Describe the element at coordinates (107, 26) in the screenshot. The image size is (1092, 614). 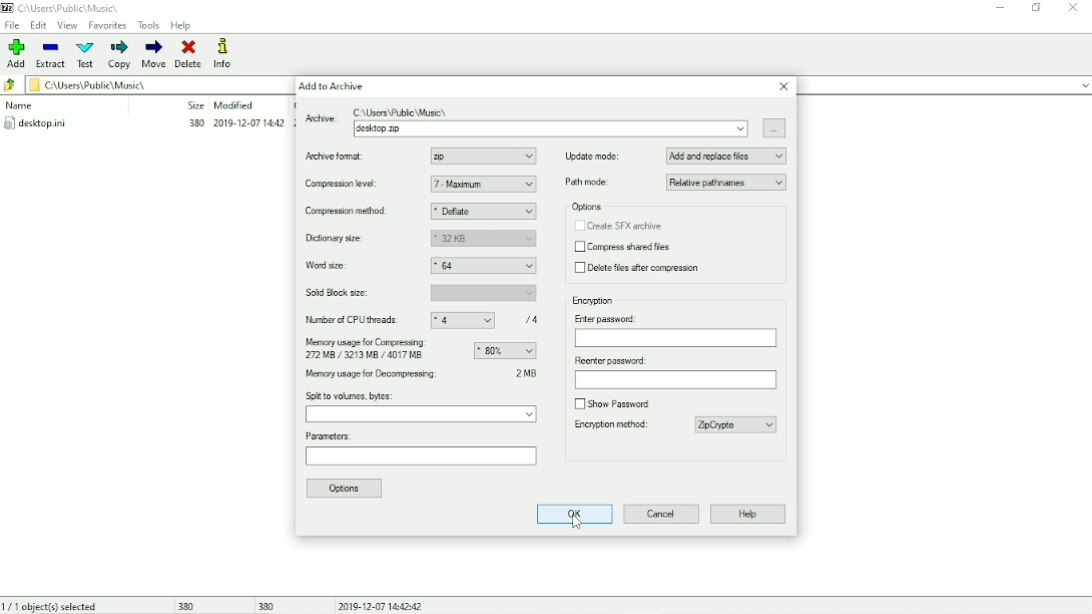
I see `Favorites` at that location.